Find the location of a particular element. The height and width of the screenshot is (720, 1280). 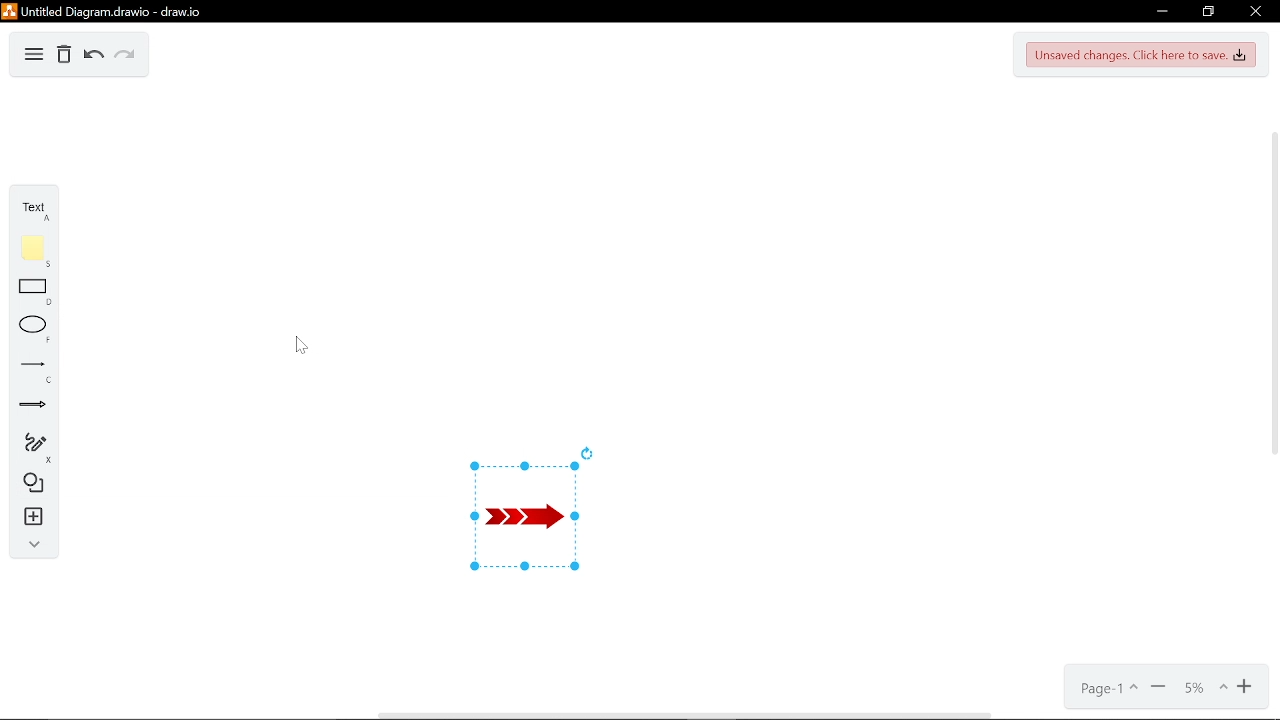

Line is located at coordinates (28, 366).